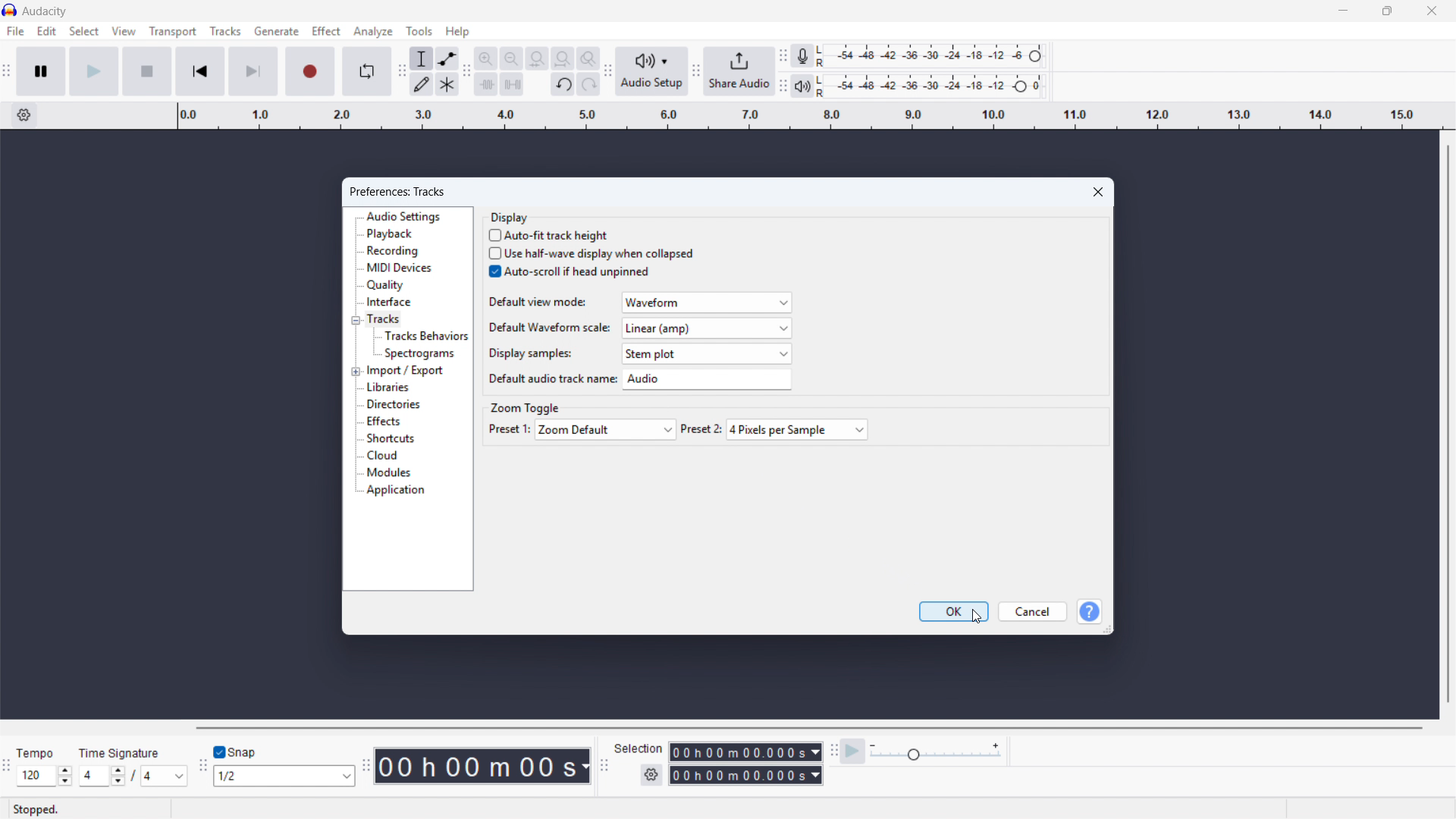 The image size is (1456, 819). Describe the element at coordinates (582, 429) in the screenshot. I see `set preset 1` at that location.